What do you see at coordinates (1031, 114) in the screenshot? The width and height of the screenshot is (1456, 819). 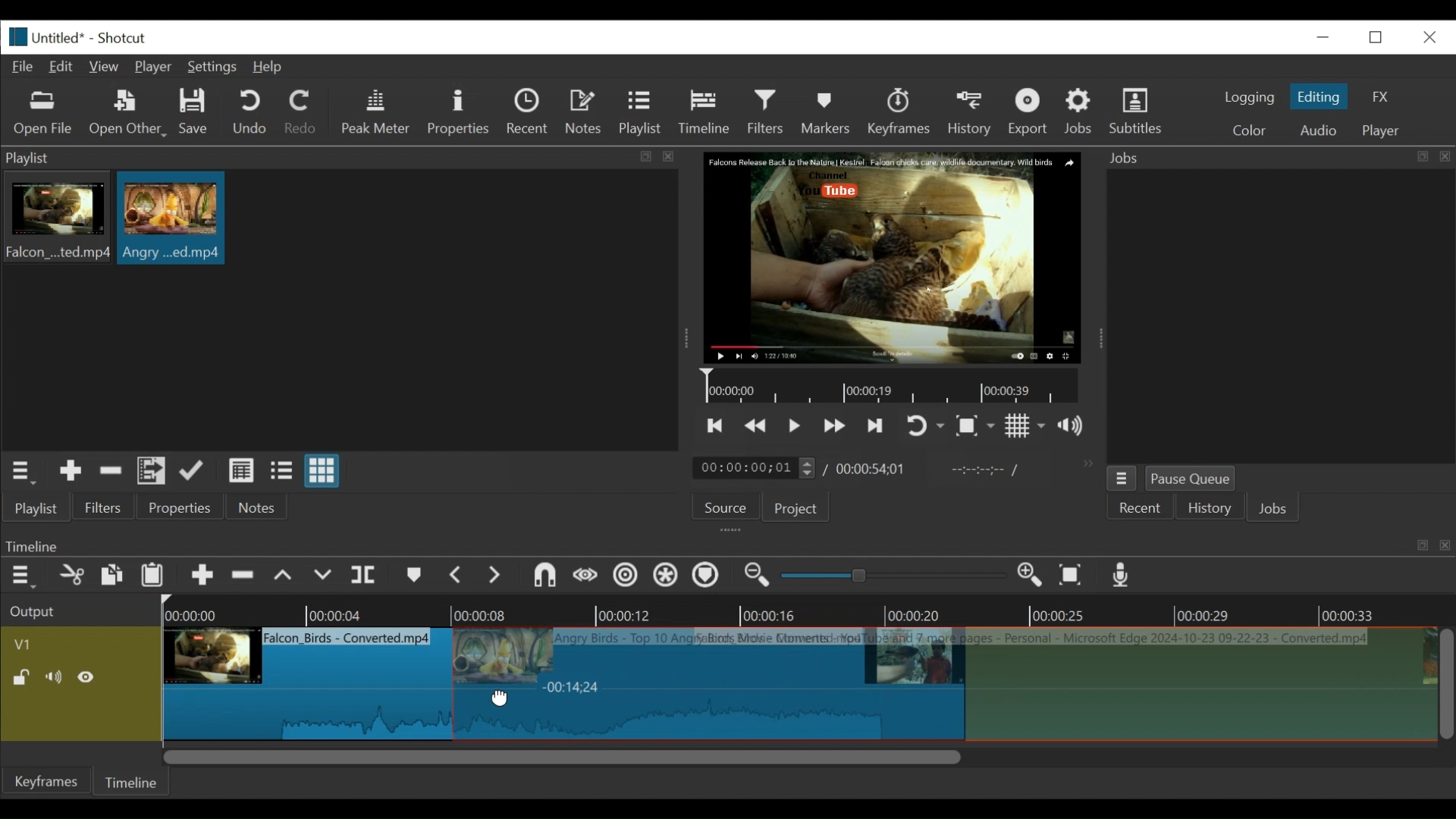 I see `Export` at bounding box center [1031, 114].